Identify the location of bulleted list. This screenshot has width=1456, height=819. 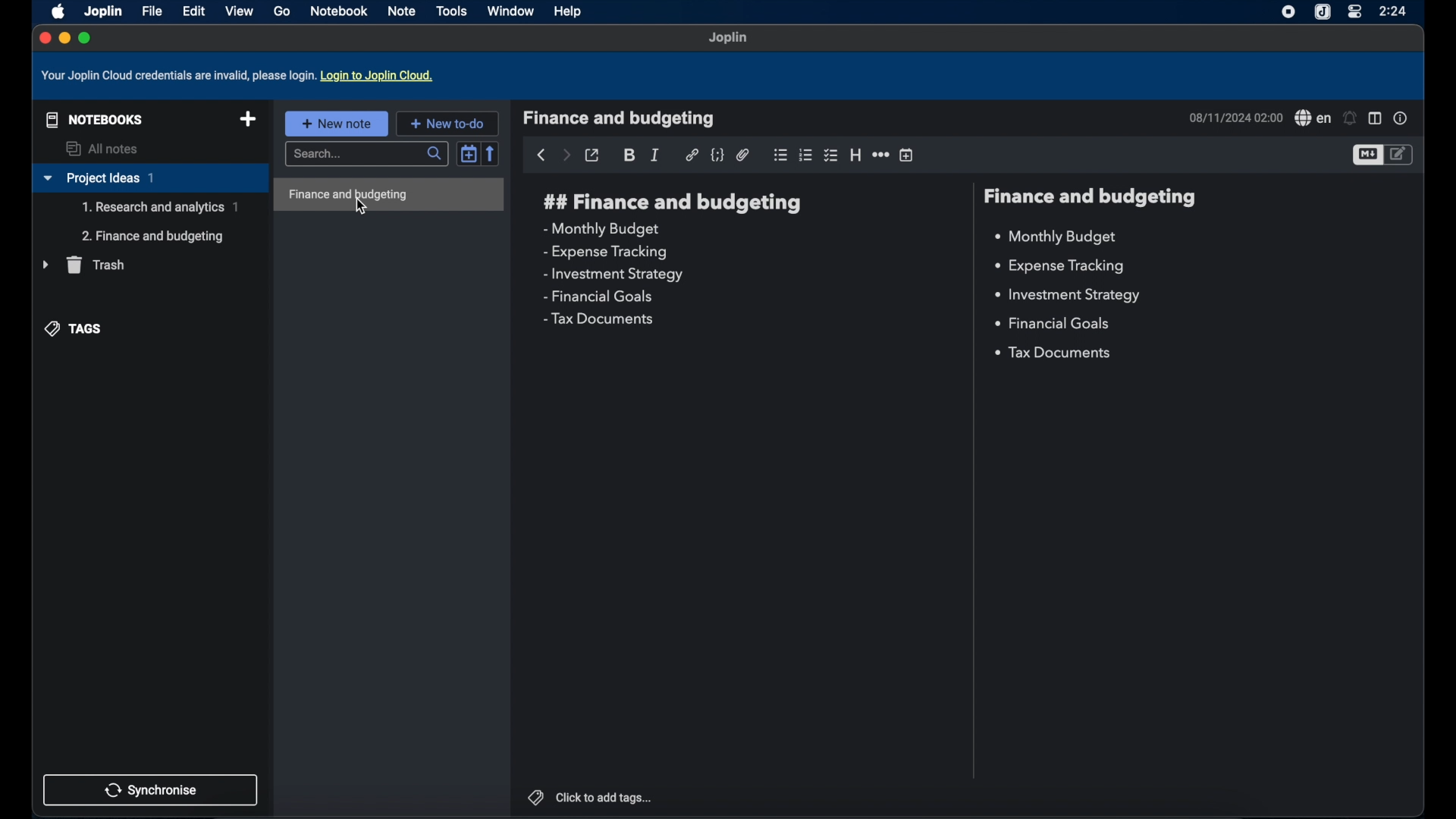
(780, 155).